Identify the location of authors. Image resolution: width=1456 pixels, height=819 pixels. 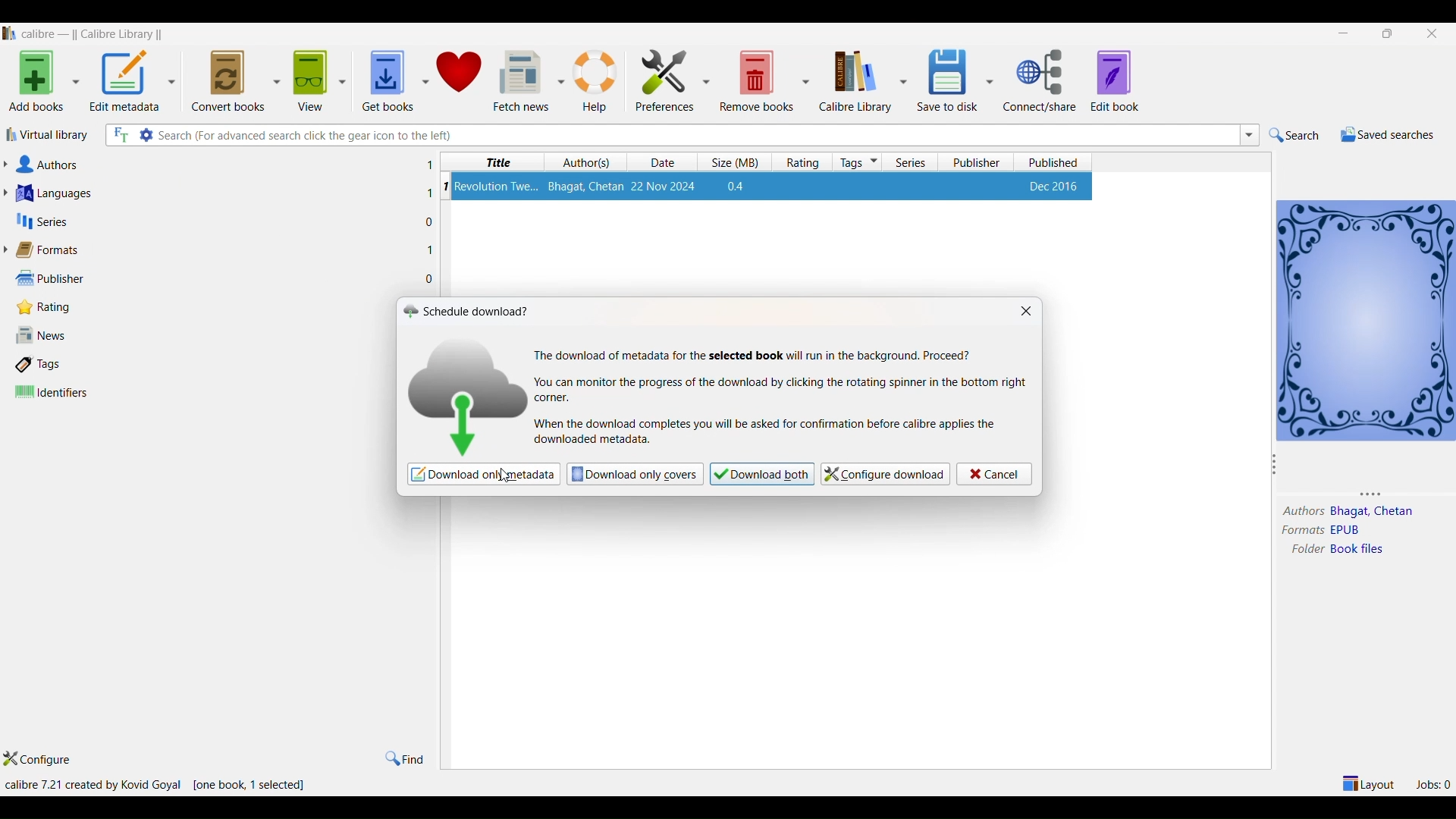
(52, 165).